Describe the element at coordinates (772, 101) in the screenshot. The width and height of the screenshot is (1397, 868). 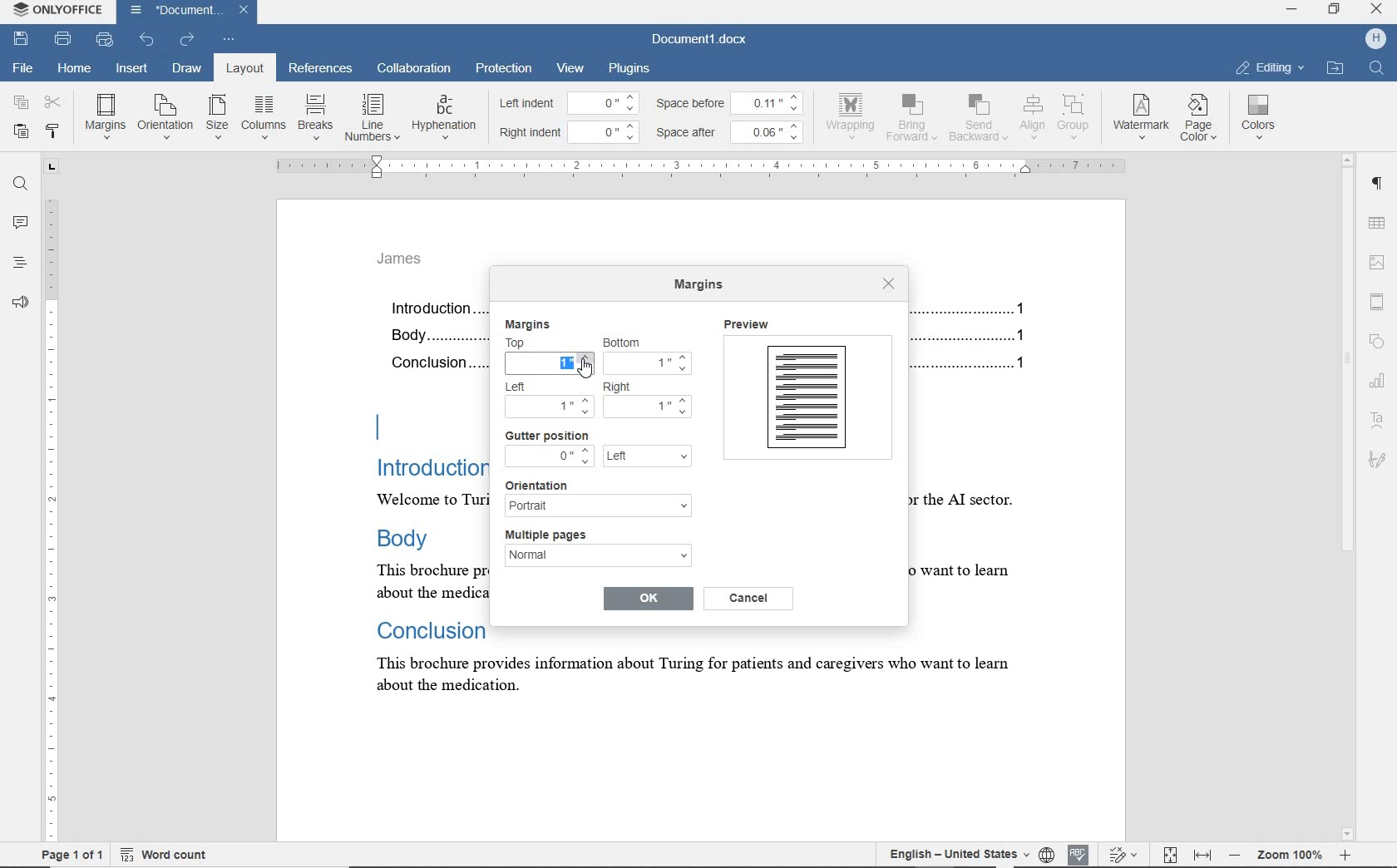
I see `0.11` at that location.